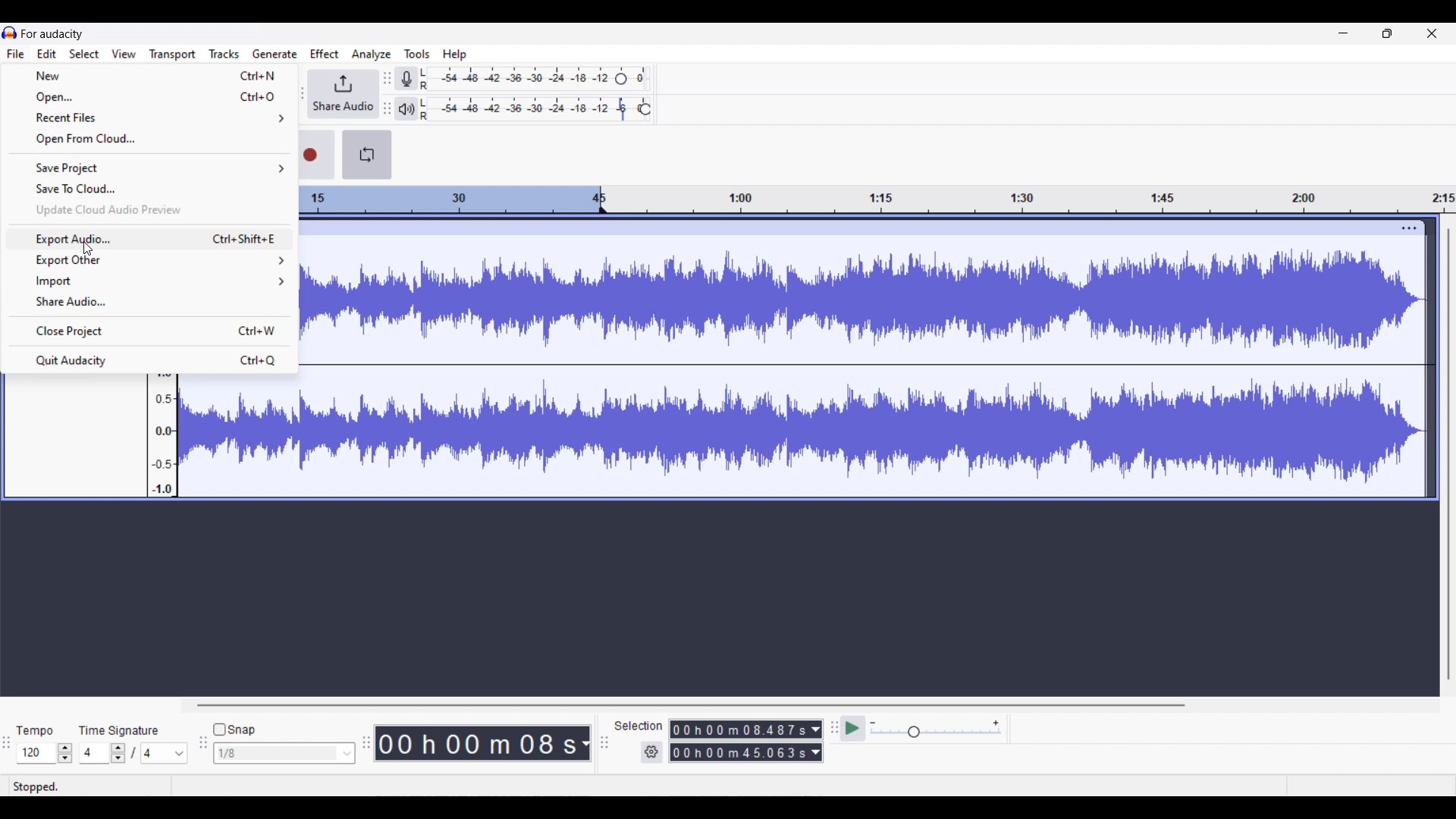 The image size is (1456, 819). Describe the element at coordinates (739, 752) in the screenshot. I see `Selection duration measurement` at that location.